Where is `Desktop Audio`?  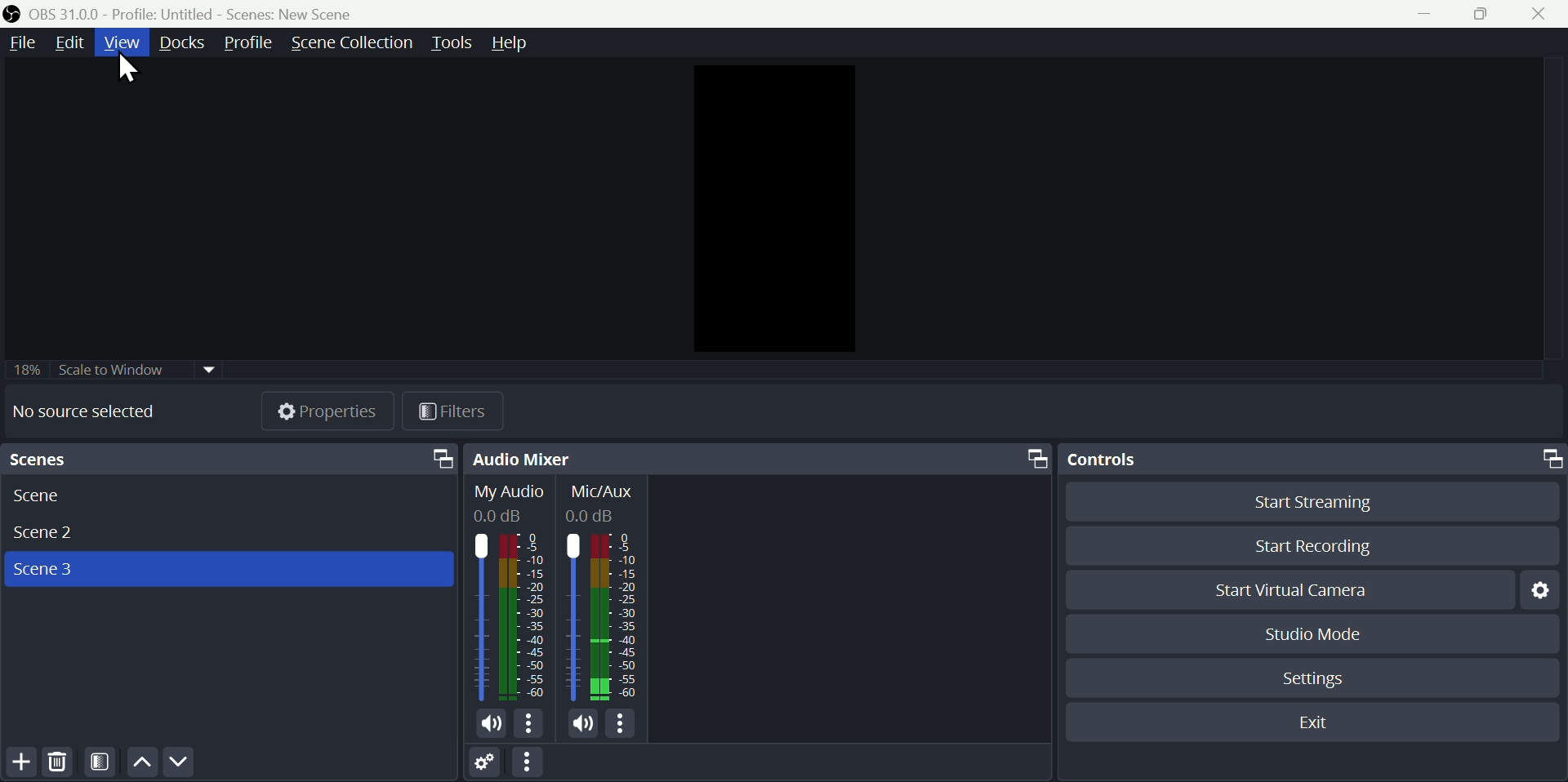
Desktop Audio is located at coordinates (510, 593).